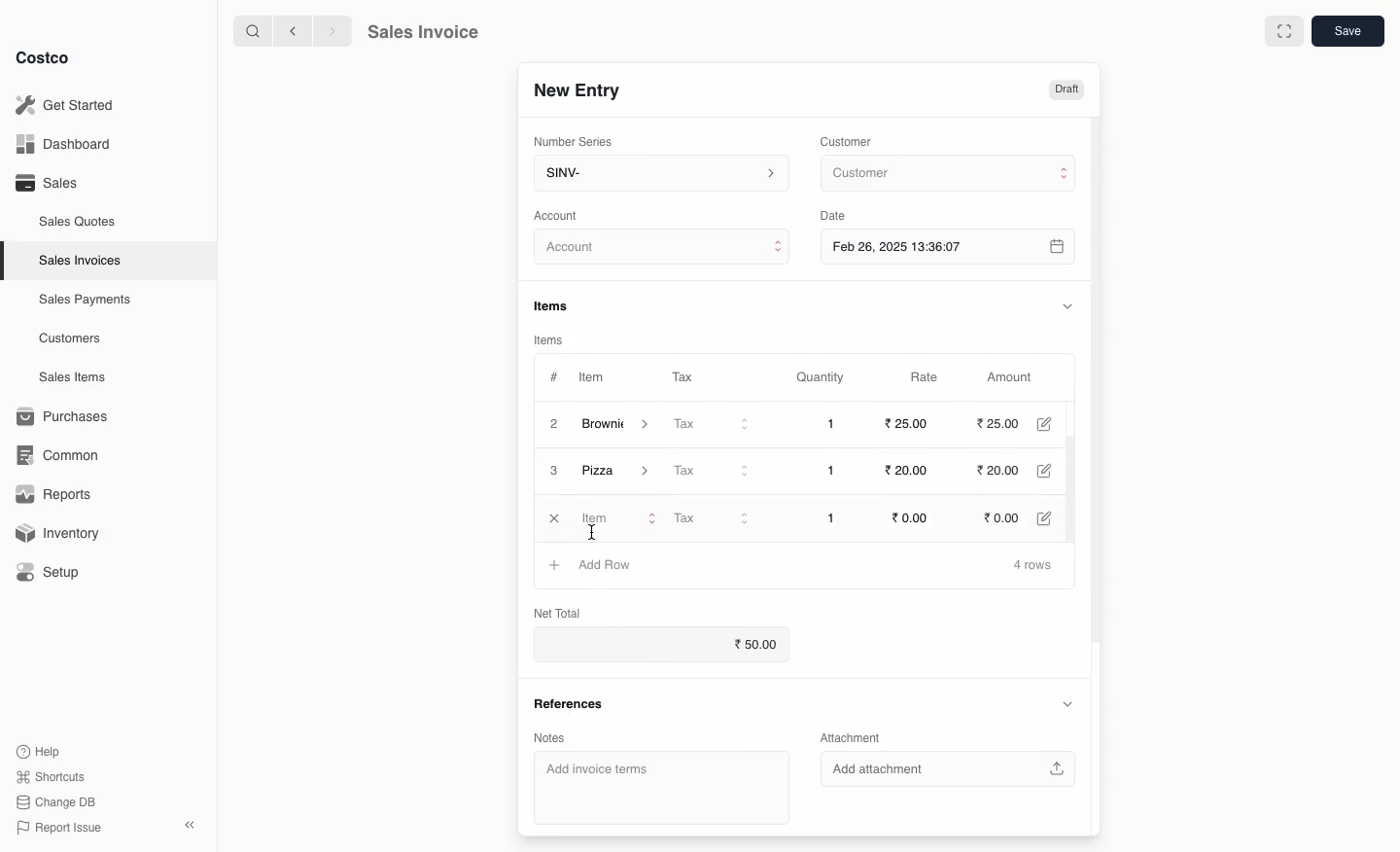  I want to click on Setup, so click(55, 572).